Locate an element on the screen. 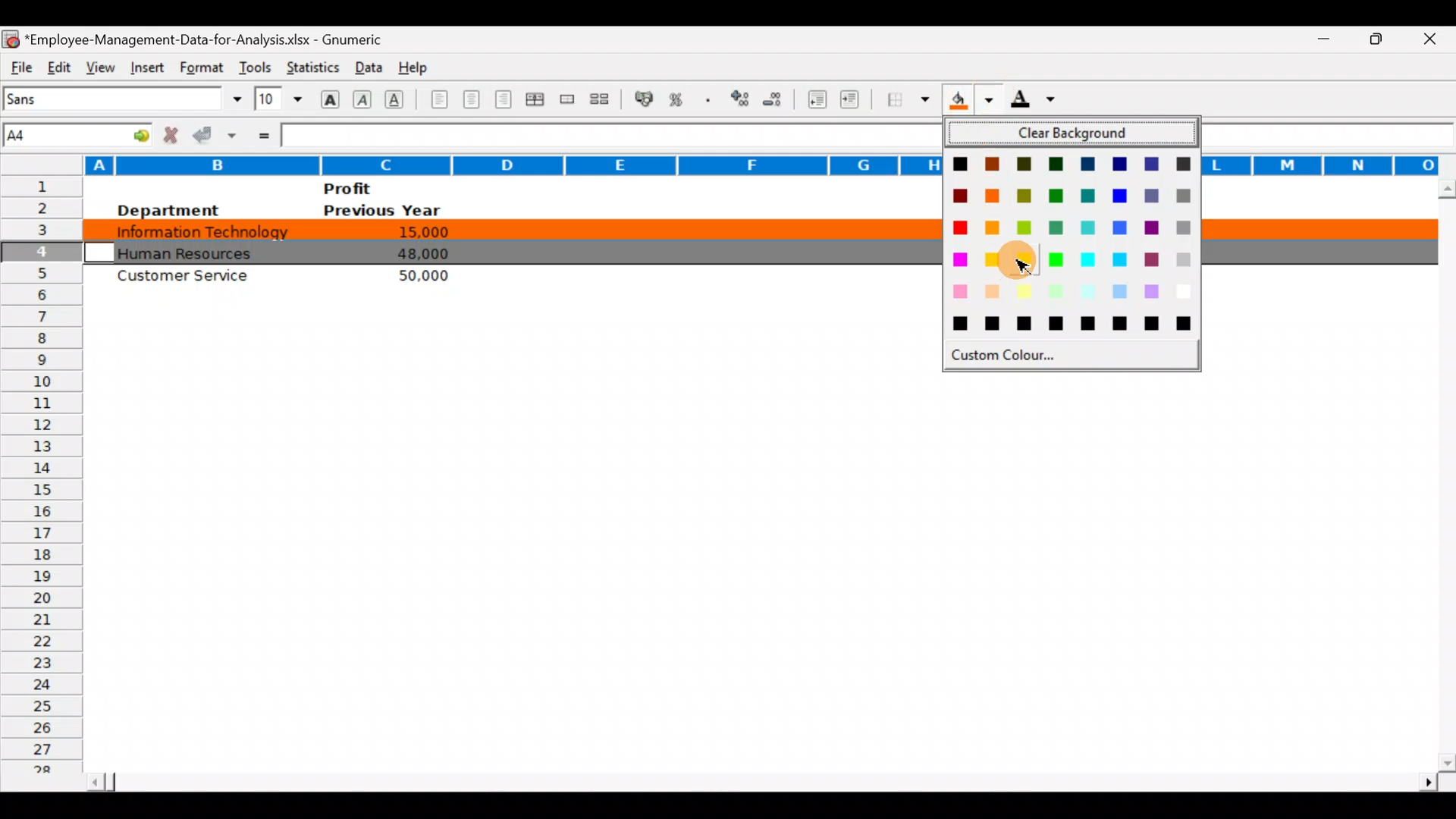 Image resolution: width=1456 pixels, height=819 pixels. Close is located at coordinates (1435, 40).